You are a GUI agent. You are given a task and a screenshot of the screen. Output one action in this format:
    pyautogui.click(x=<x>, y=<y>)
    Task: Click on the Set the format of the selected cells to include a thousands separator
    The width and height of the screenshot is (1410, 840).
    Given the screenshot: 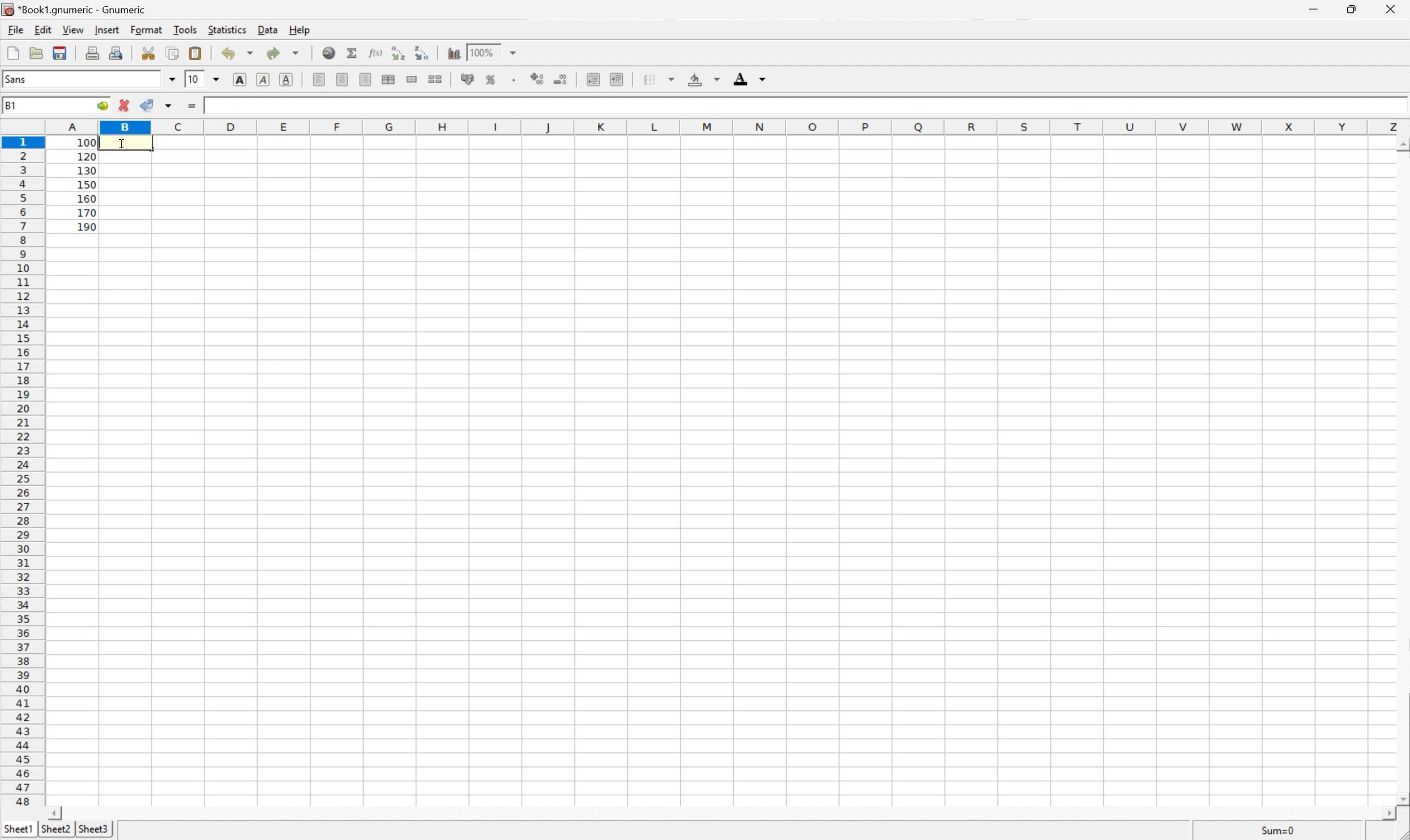 What is the action you would take?
    pyautogui.click(x=516, y=79)
    